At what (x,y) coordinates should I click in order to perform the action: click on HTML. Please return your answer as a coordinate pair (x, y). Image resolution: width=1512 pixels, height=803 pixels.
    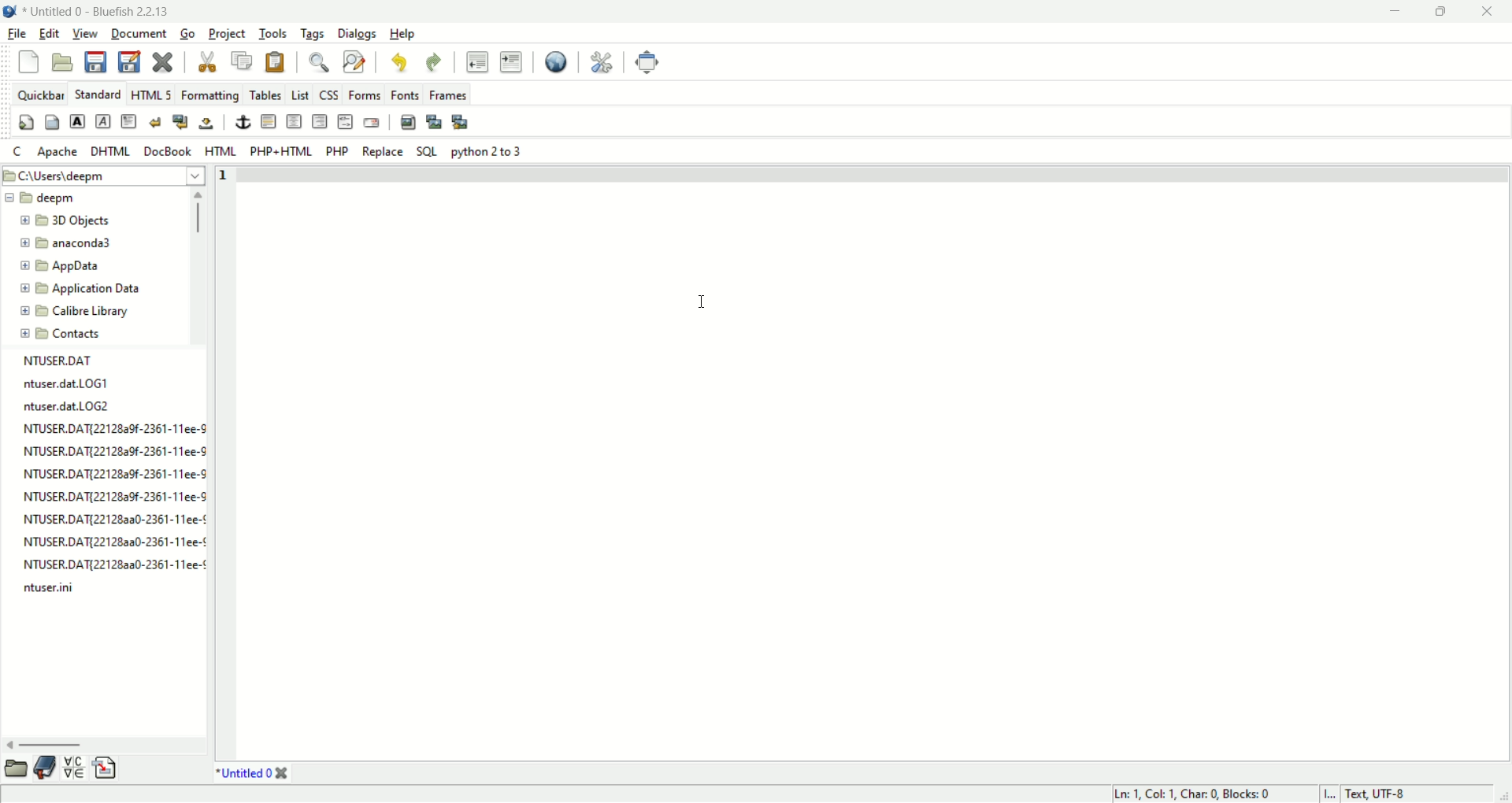
    Looking at the image, I should click on (221, 150).